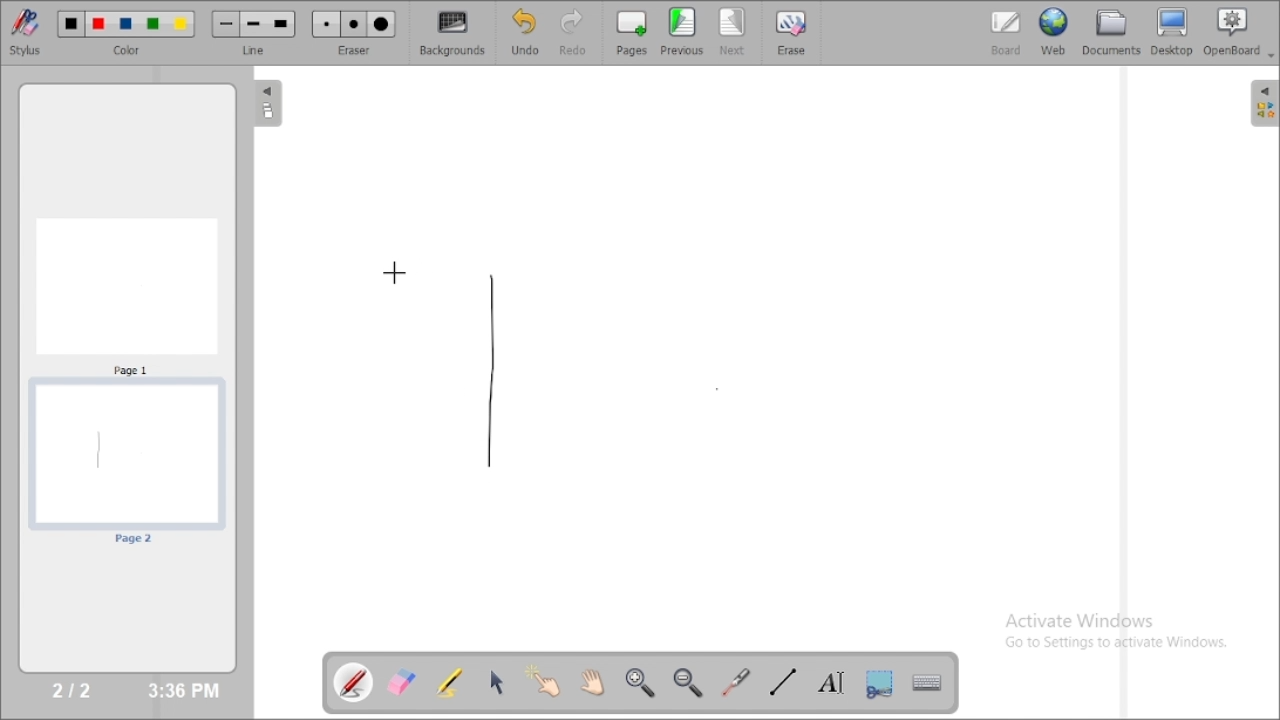 The height and width of the screenshot is (720, 1280). Describe the element at coordinates (99, 25) in the screenshot. I see `Color 2` at that location.